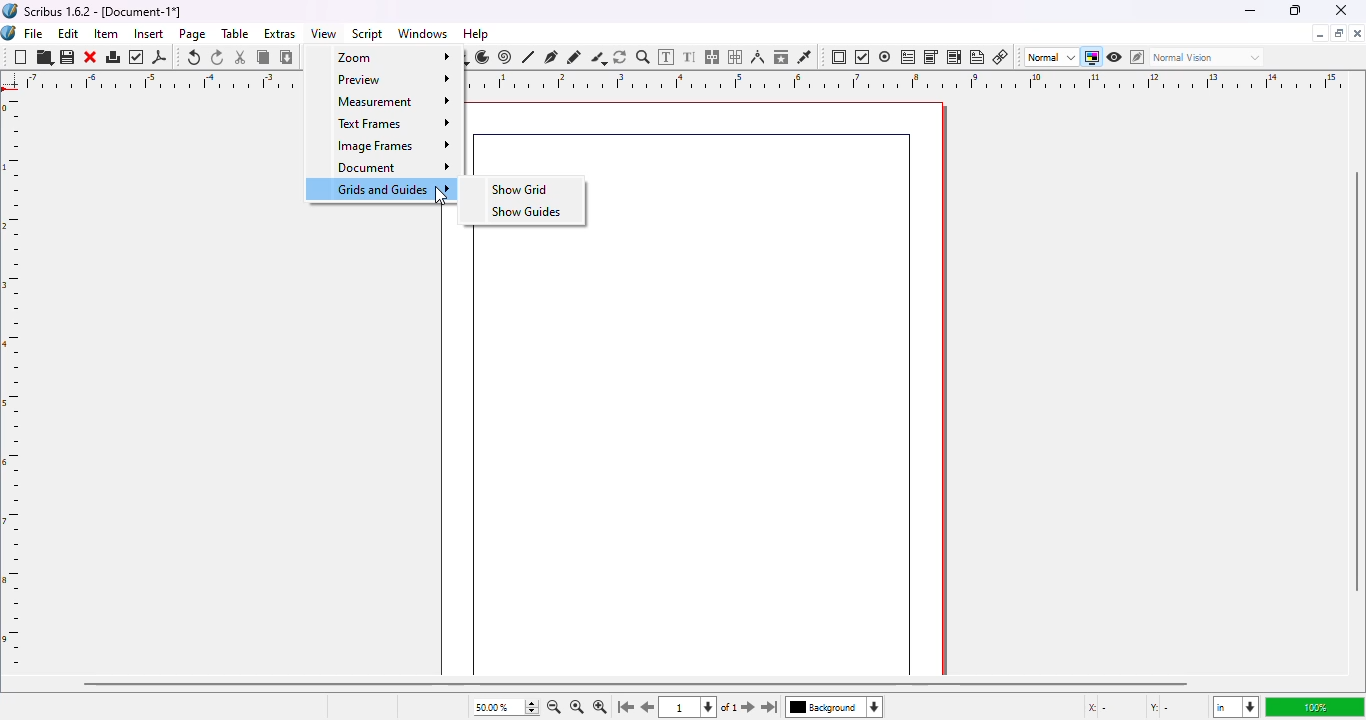  I want to click on text frames, so click(385, 122).